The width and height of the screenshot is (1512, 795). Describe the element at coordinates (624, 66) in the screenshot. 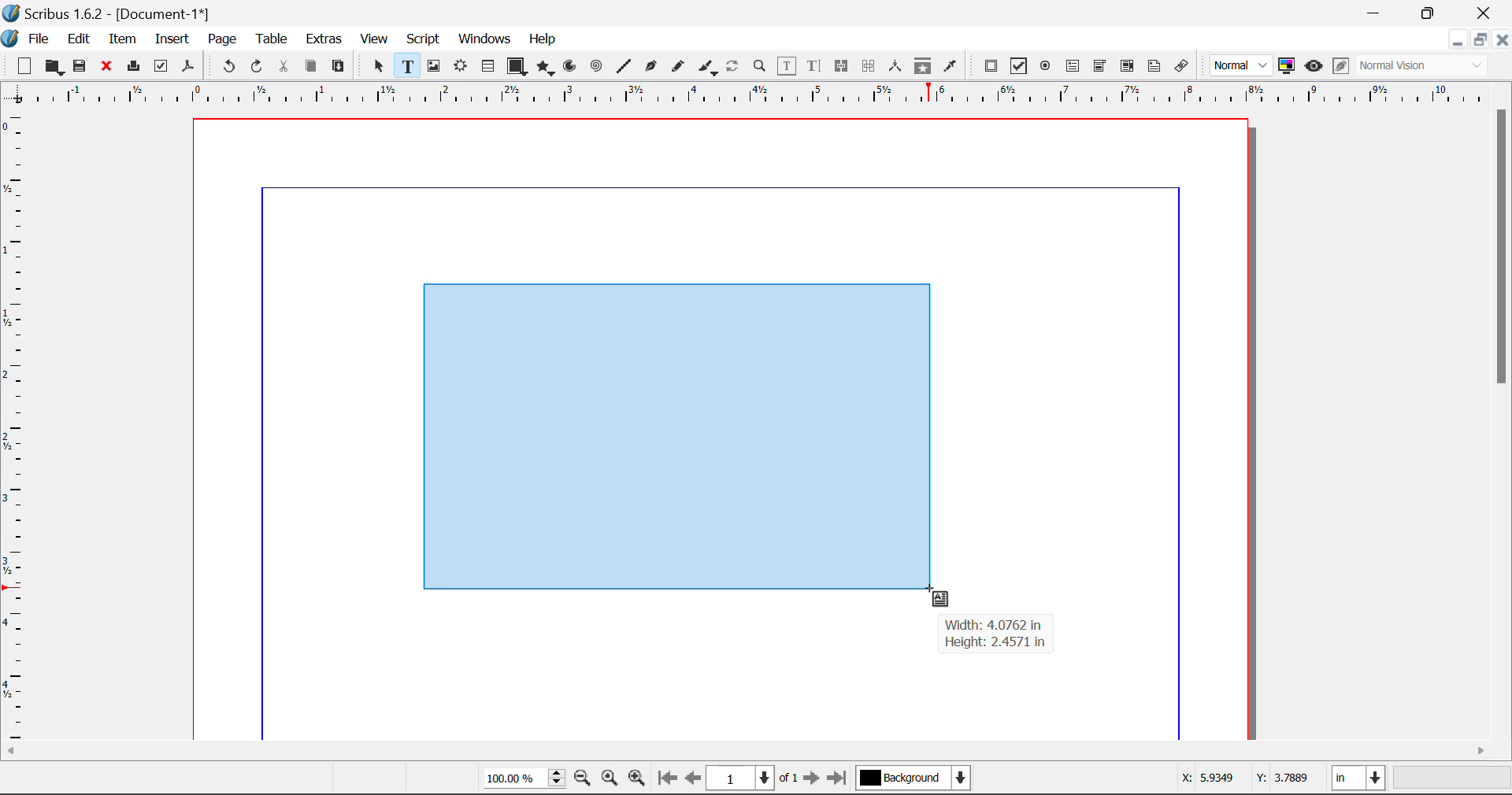

I see `Line` at that location.